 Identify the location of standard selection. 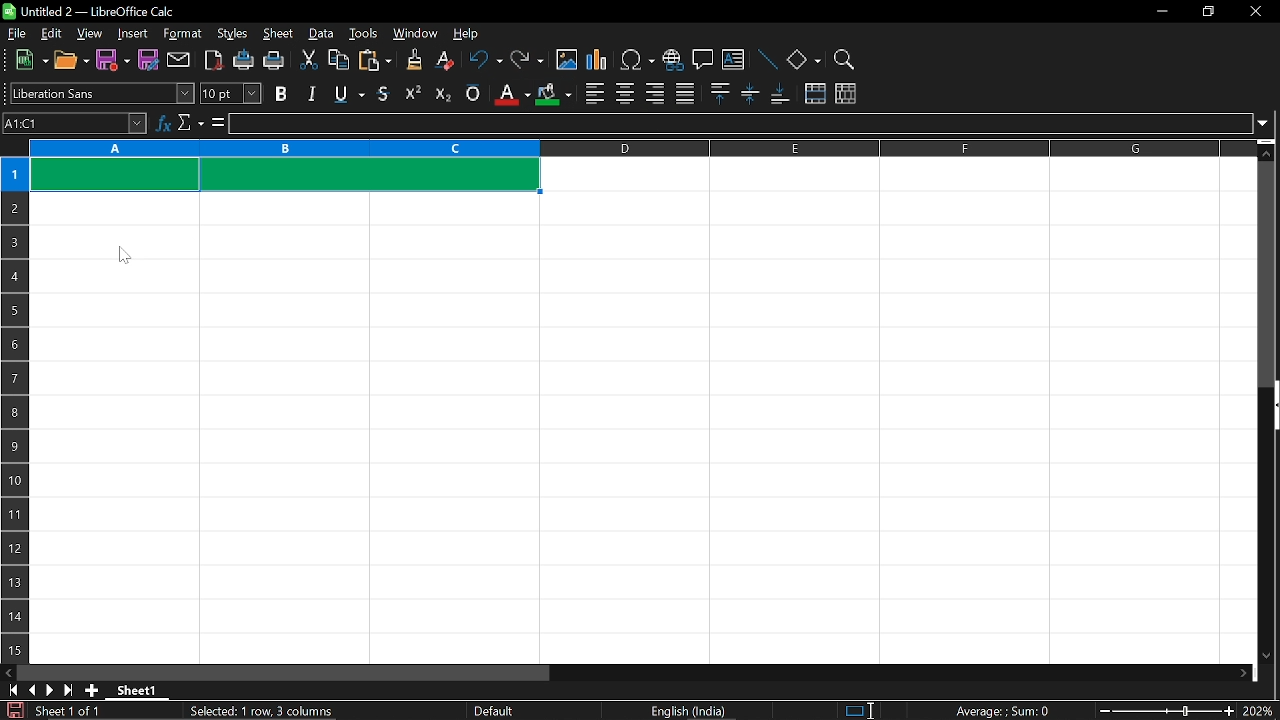
(860, 711).